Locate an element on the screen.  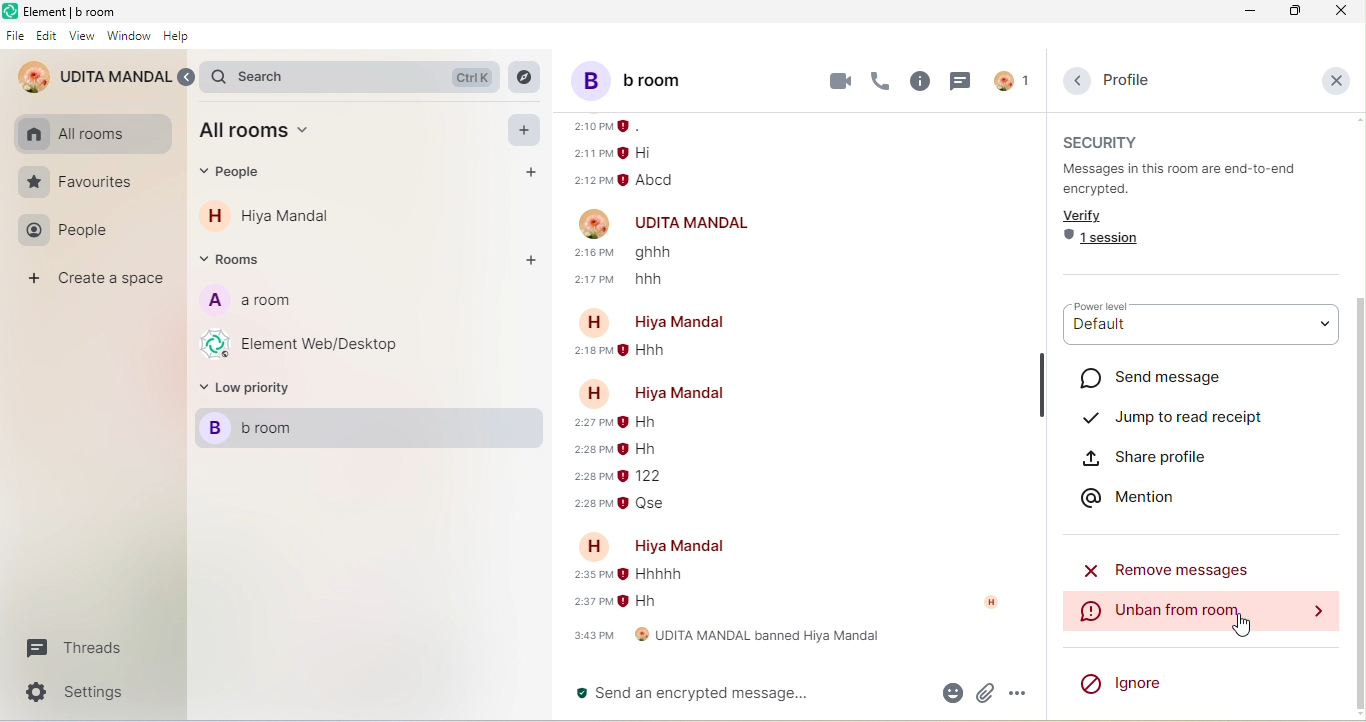
older message of hiya mandal is located at coordinates (633, 591).